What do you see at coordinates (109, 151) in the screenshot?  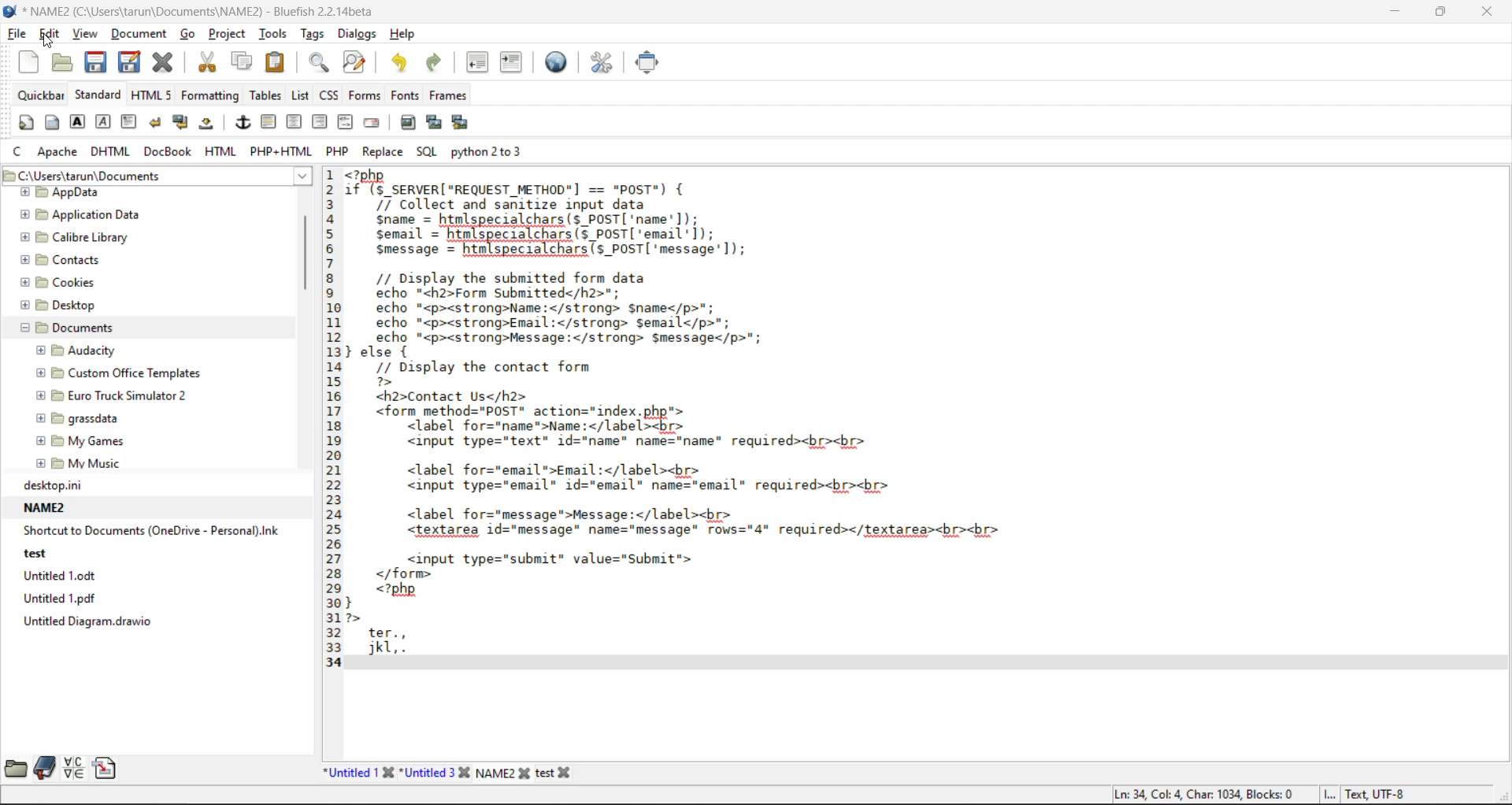 I see `dhtml` at bounding box center [109, 151].